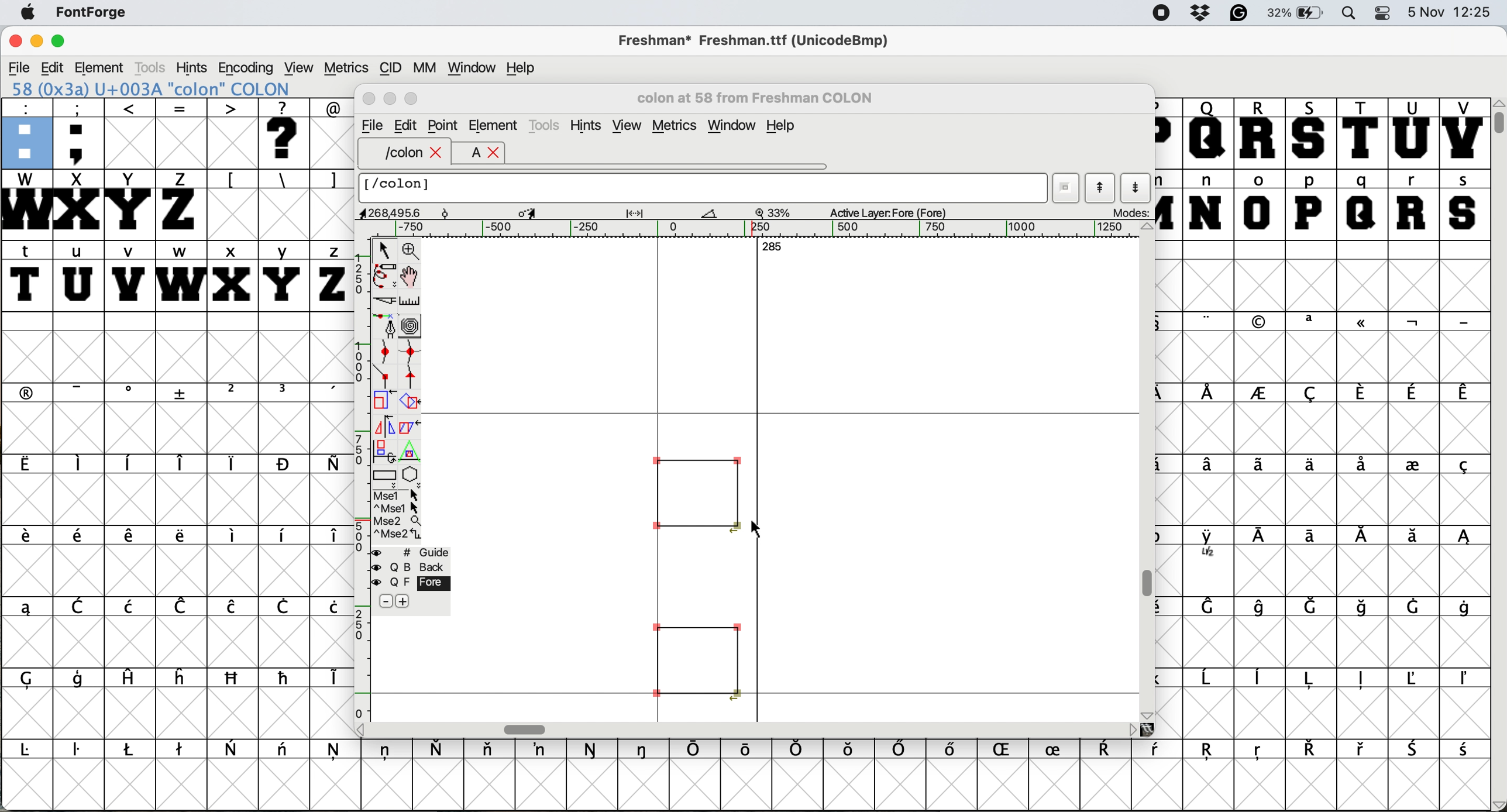 The width and height of the screenshot is (1507, 812). Describe the element at coordinates (336, 753) in the screenshot. I see `symbol` at that location.